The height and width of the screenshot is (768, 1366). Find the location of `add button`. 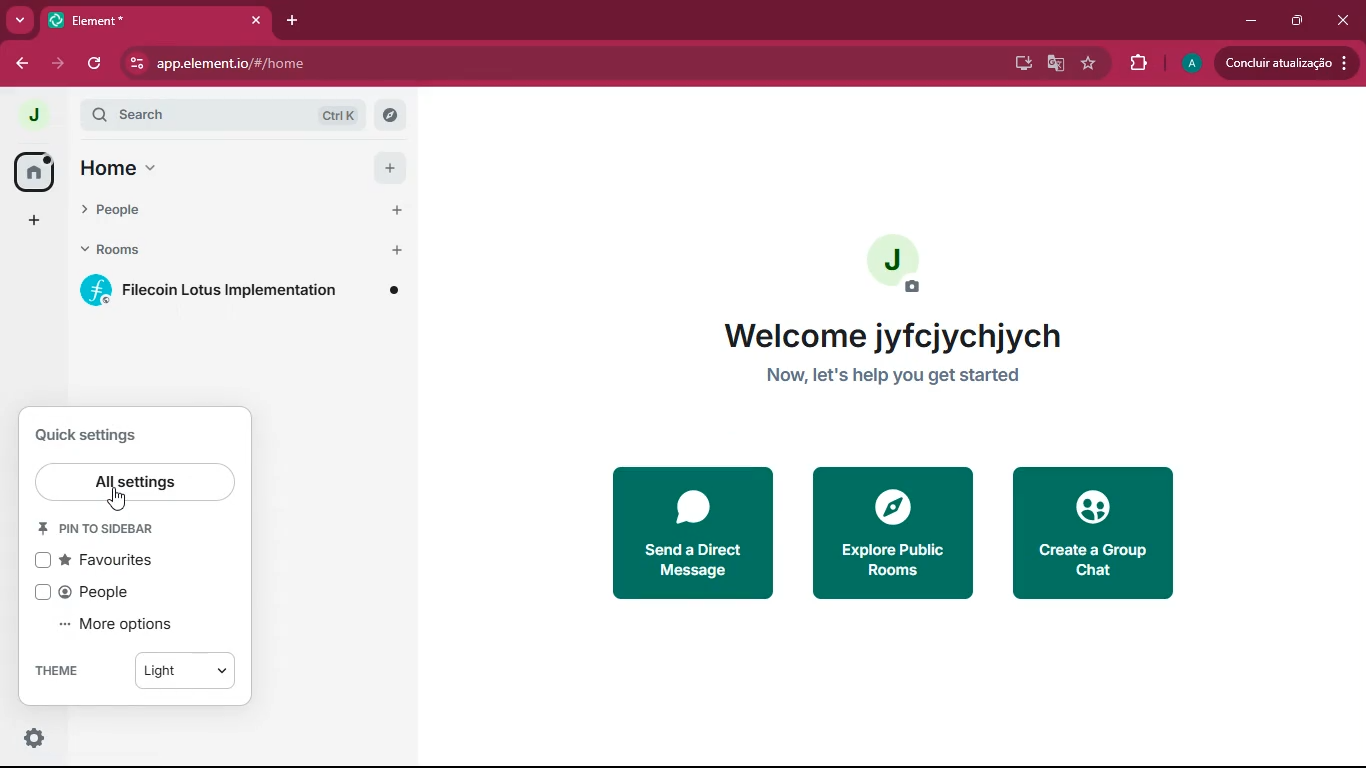

add button is located at coordinates (394, 252).